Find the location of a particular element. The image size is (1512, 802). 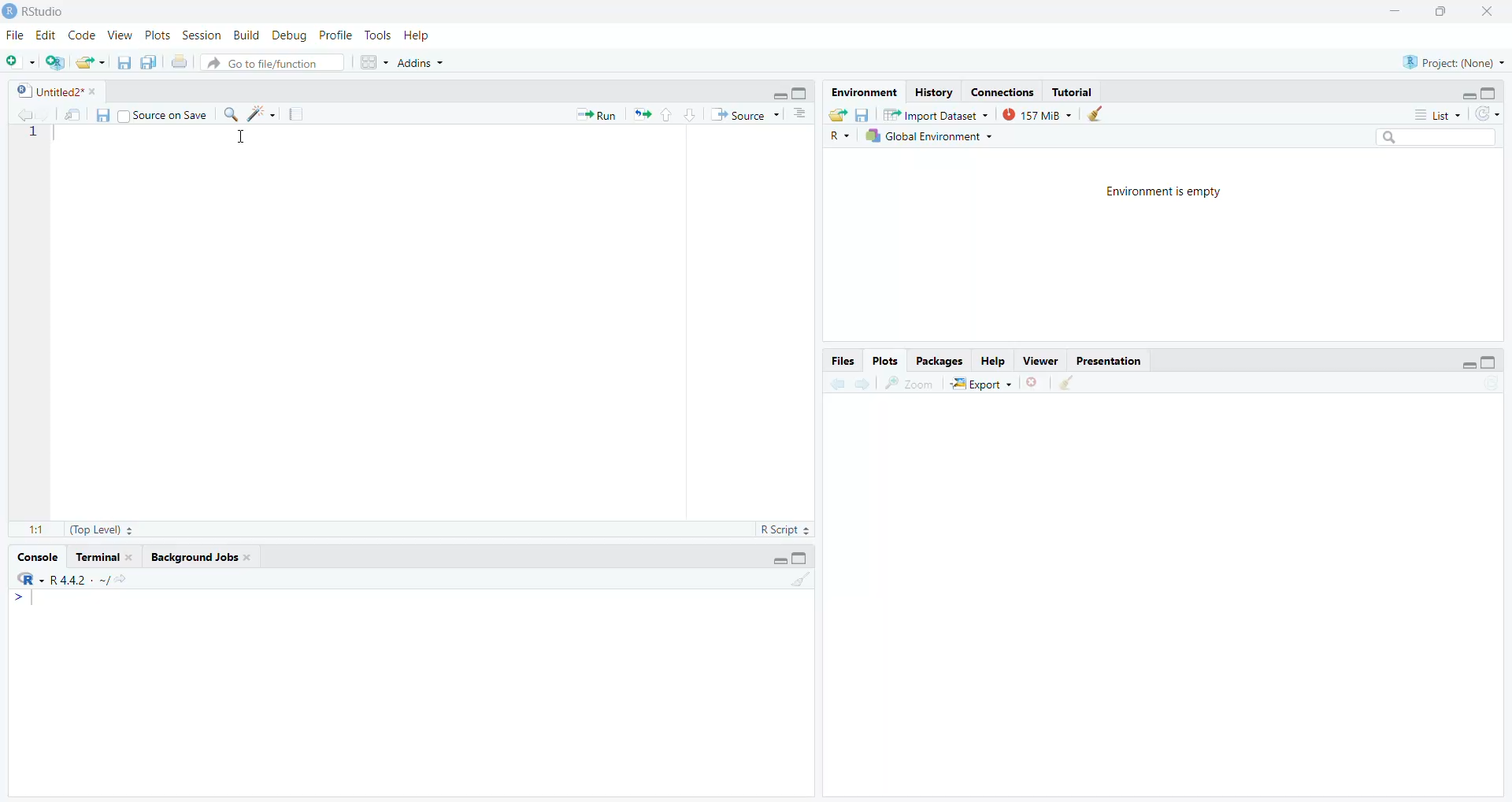

open an existing file is located at coordinates (87, 64).